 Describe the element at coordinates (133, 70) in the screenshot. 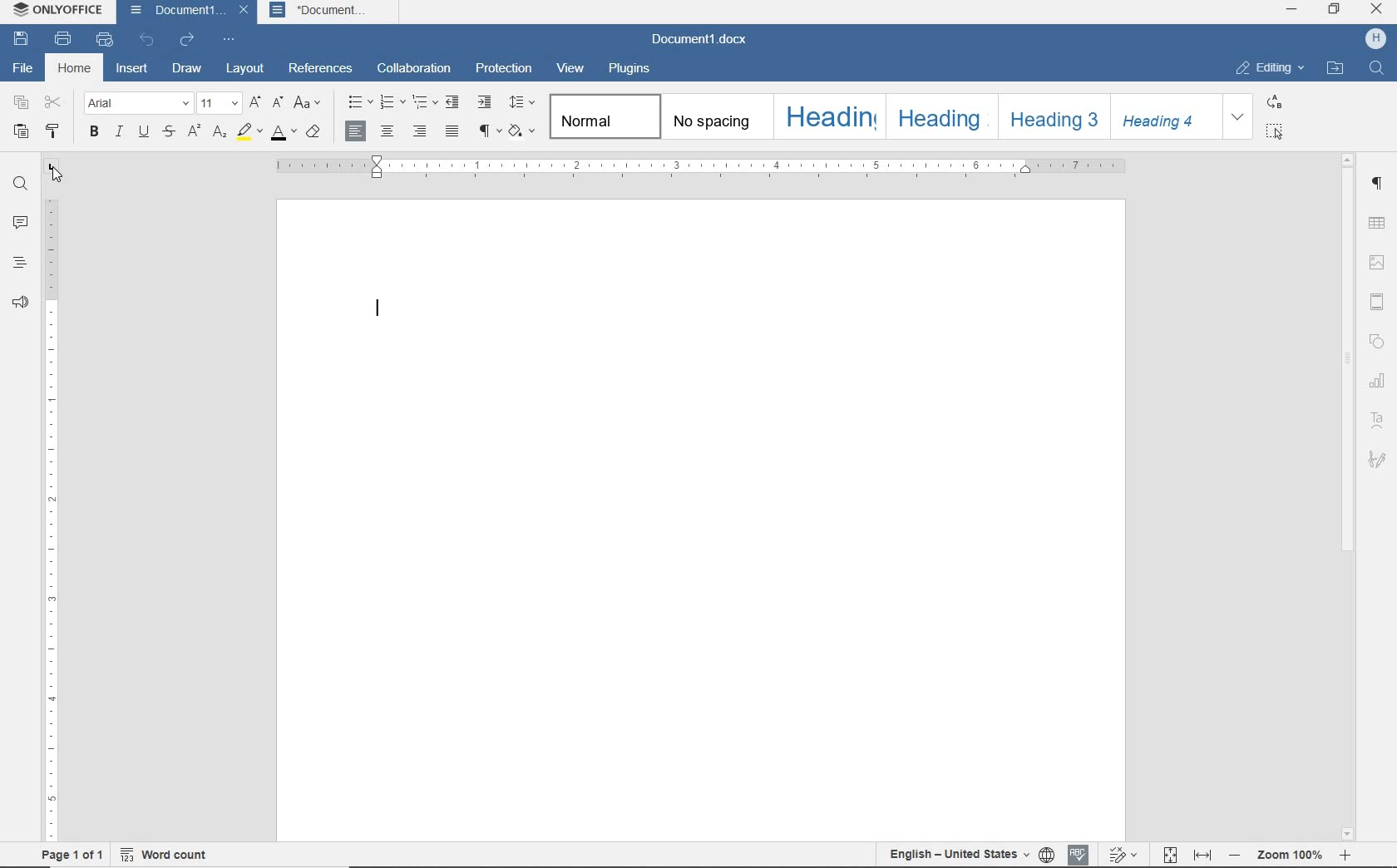

I see `INSERT` at that location.